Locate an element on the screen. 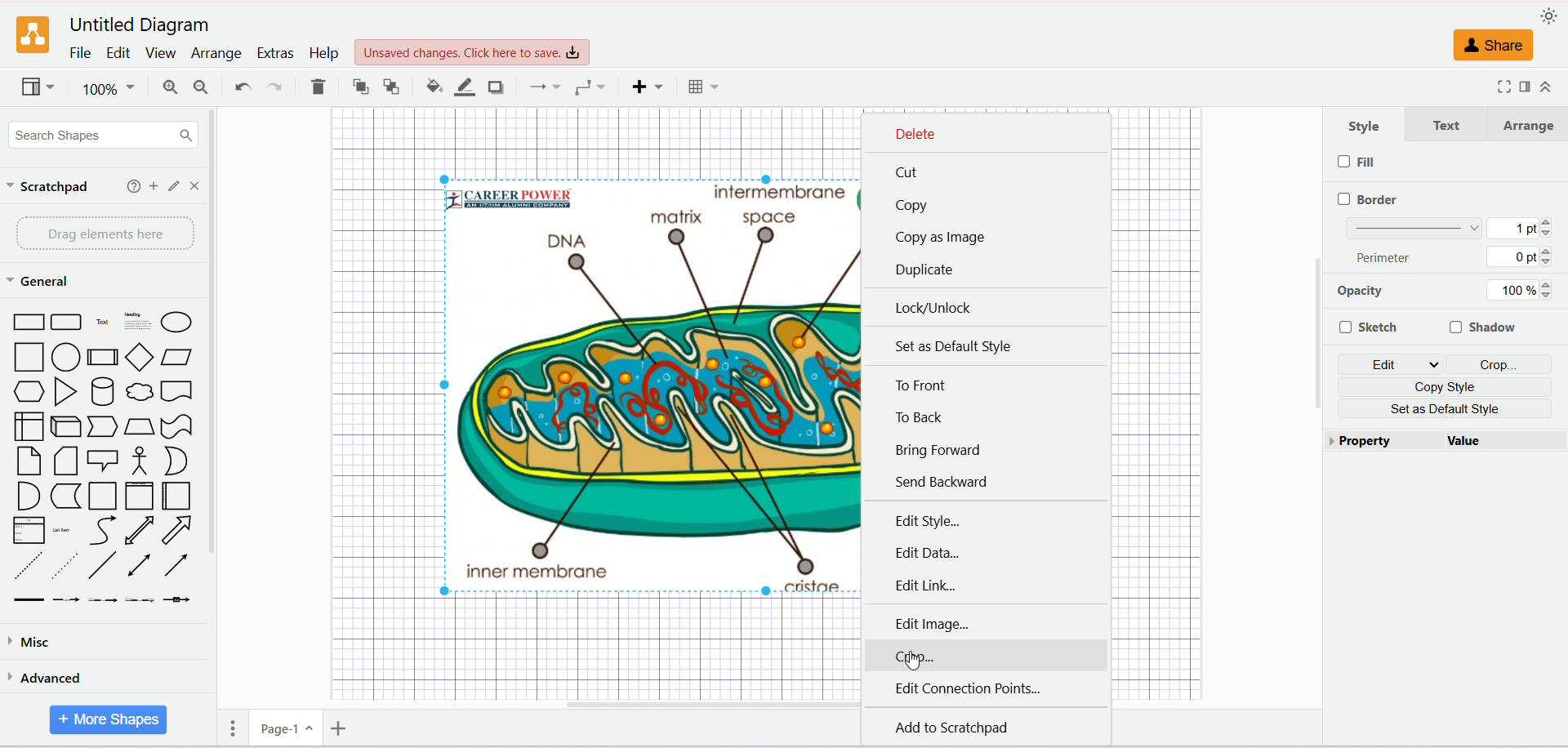  edit is located at coordinates (176, 186).